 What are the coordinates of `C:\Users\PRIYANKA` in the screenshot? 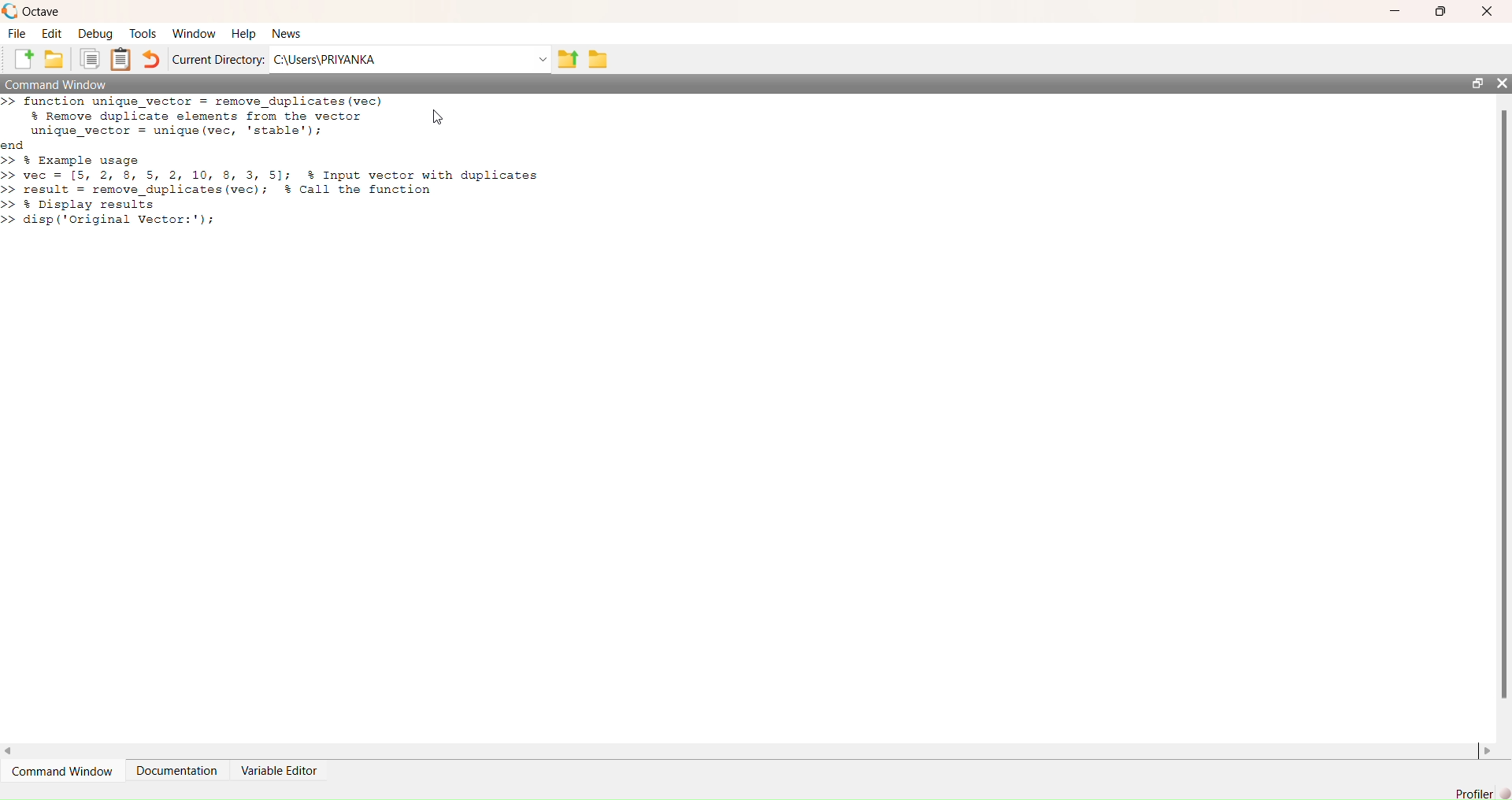 It's located at (328, 59).